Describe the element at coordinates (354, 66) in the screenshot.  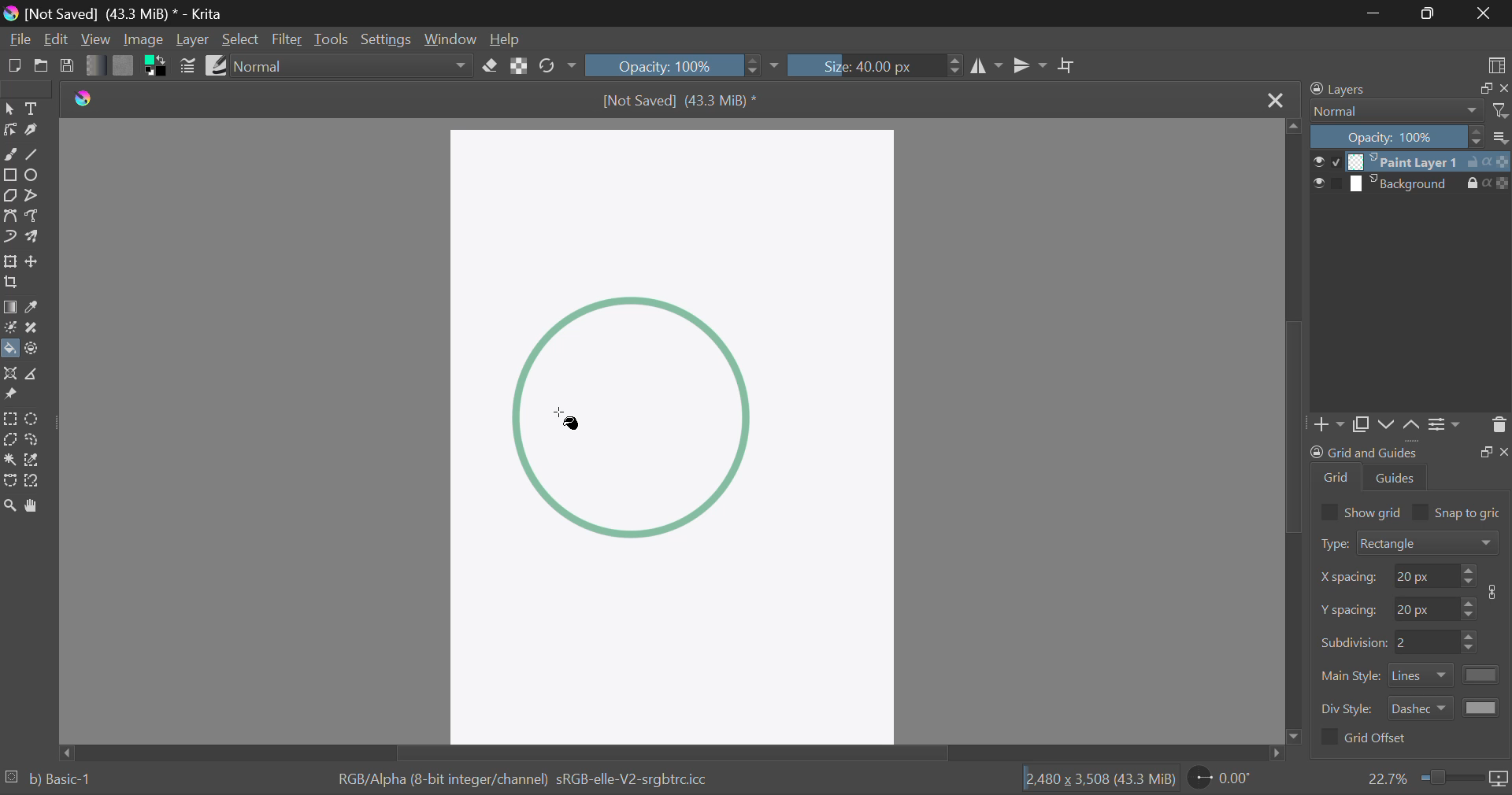
I see `Blending Mode` at that location.